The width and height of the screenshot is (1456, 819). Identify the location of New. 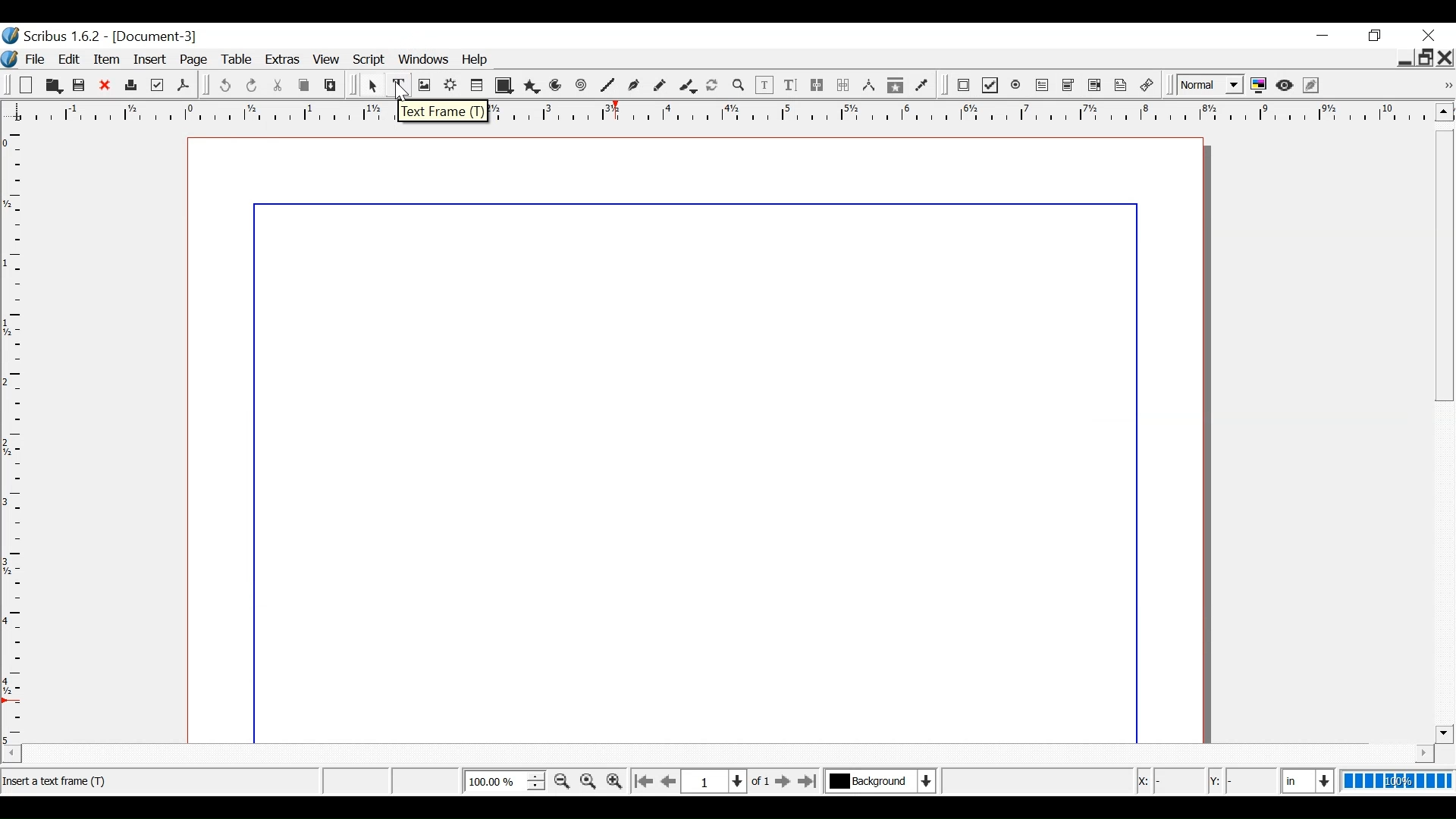
(27, 85).